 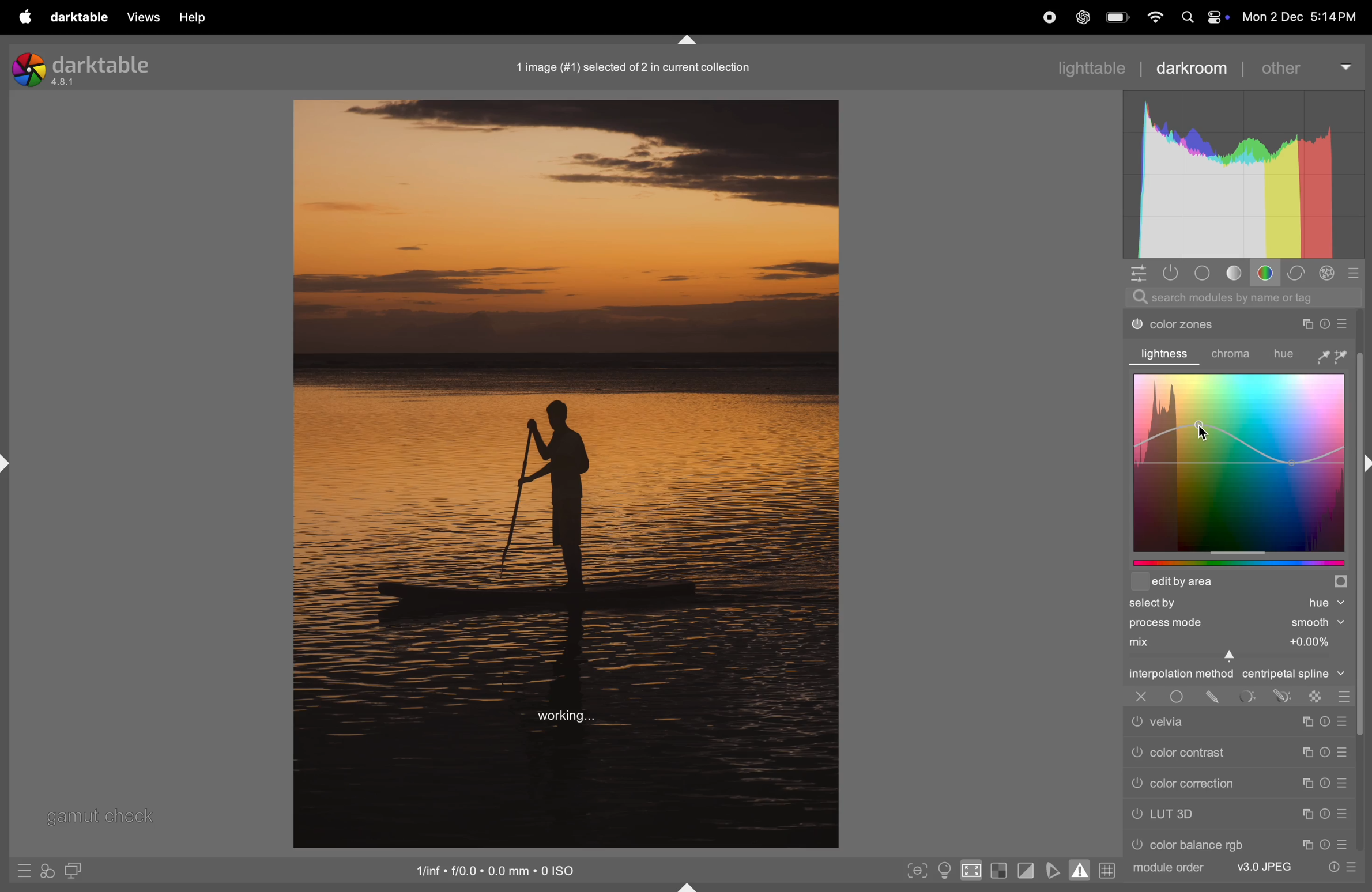 I want to click on toggle indication of raw exposure, so click(x=999, y=870).